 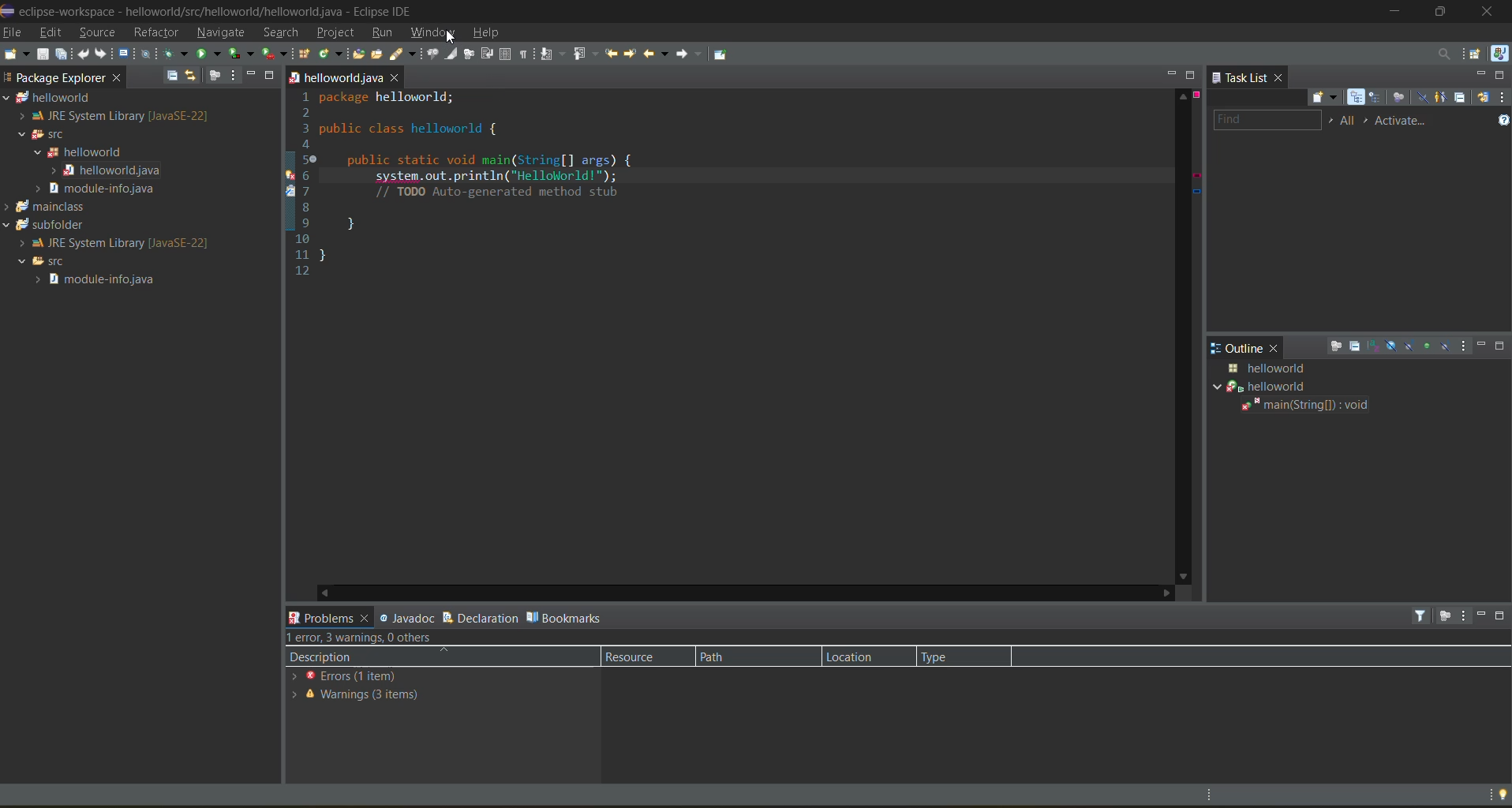 What do you see at coordinates (52, 32) in the screenshot?
I see `edit` at bounding box center [52, 32].